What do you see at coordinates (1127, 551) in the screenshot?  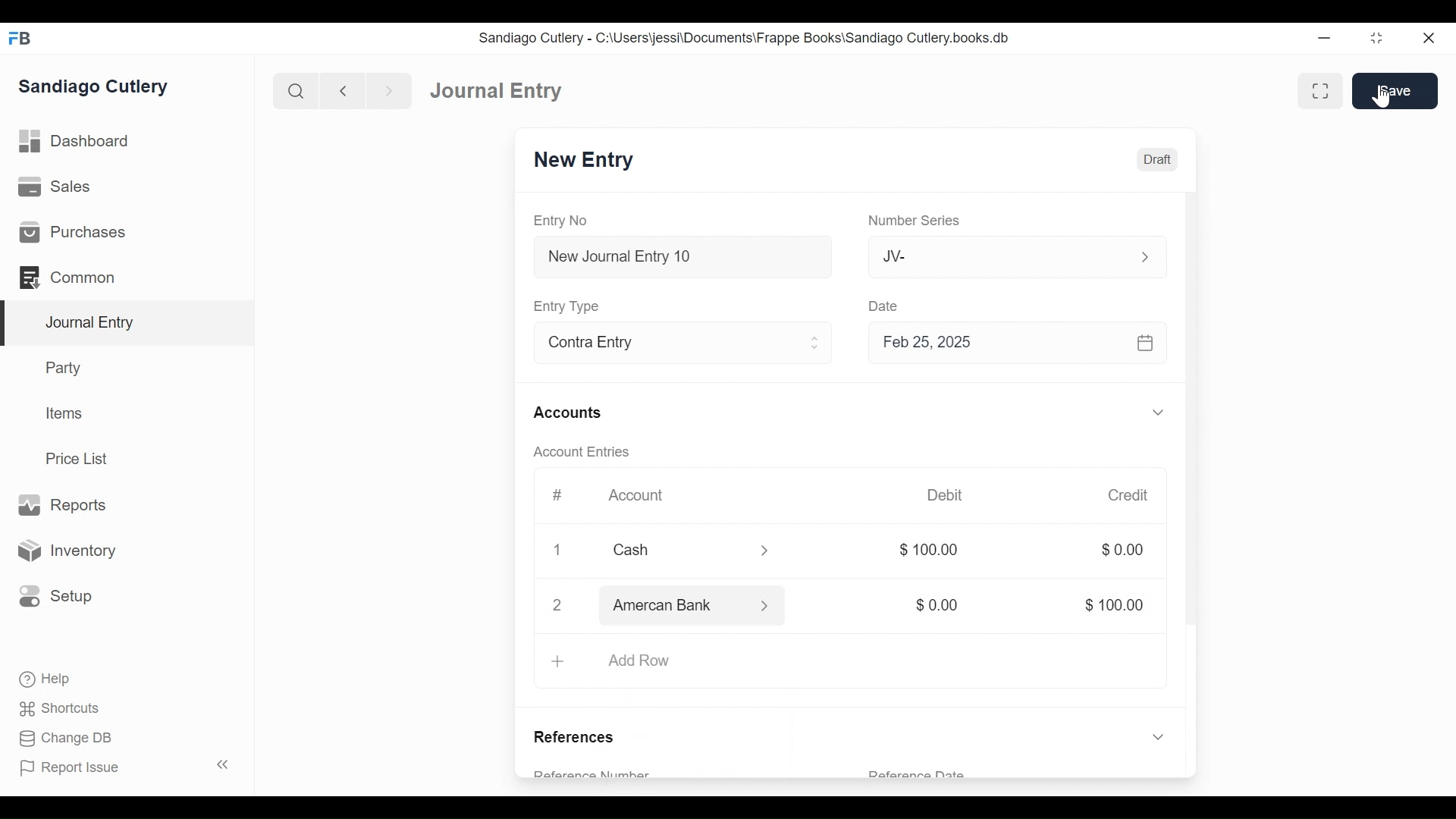 I see `$0.00` at bounding box center [1127, 551].